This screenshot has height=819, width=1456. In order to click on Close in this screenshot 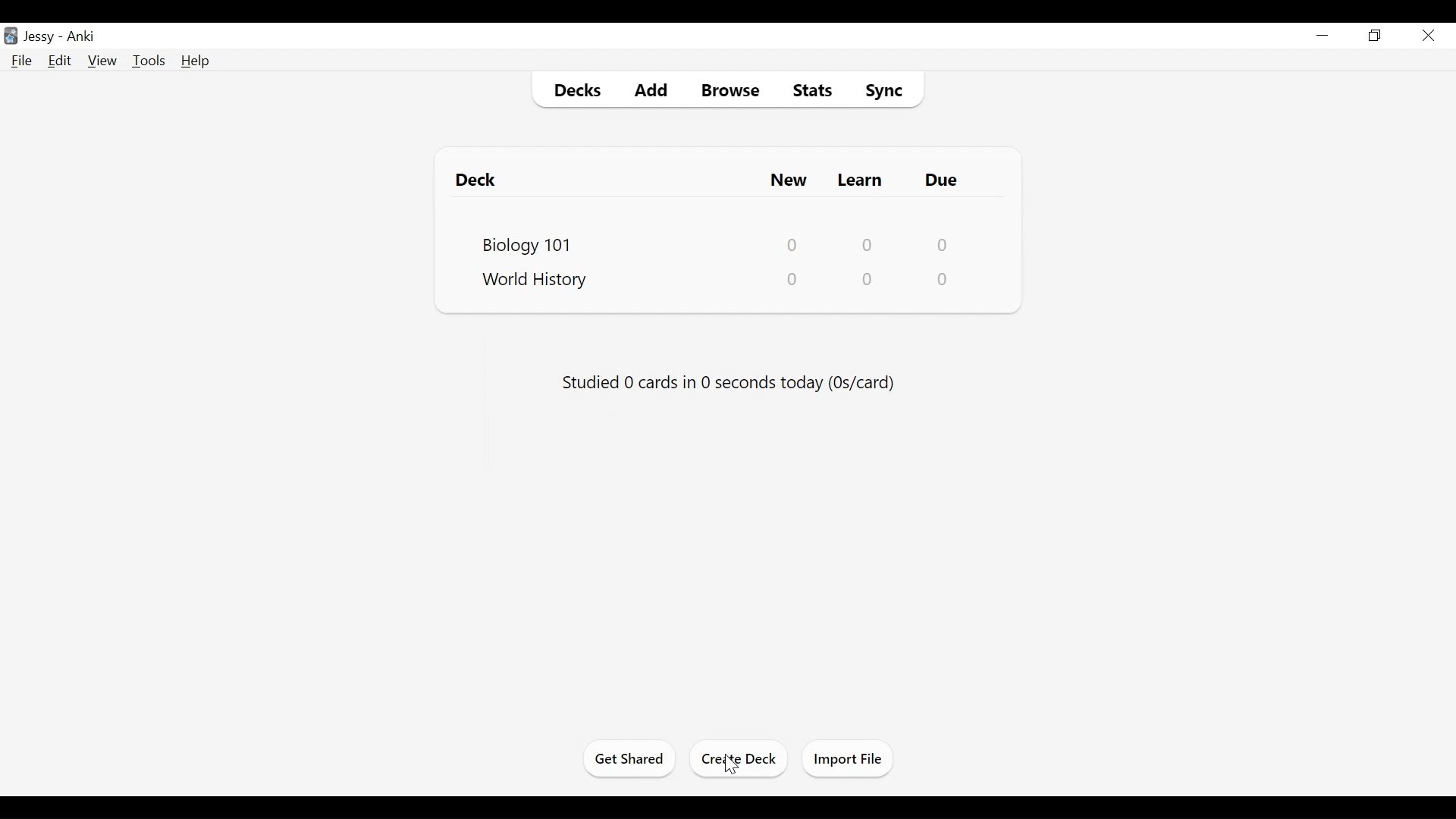, I will do `click(1428, 36)`.